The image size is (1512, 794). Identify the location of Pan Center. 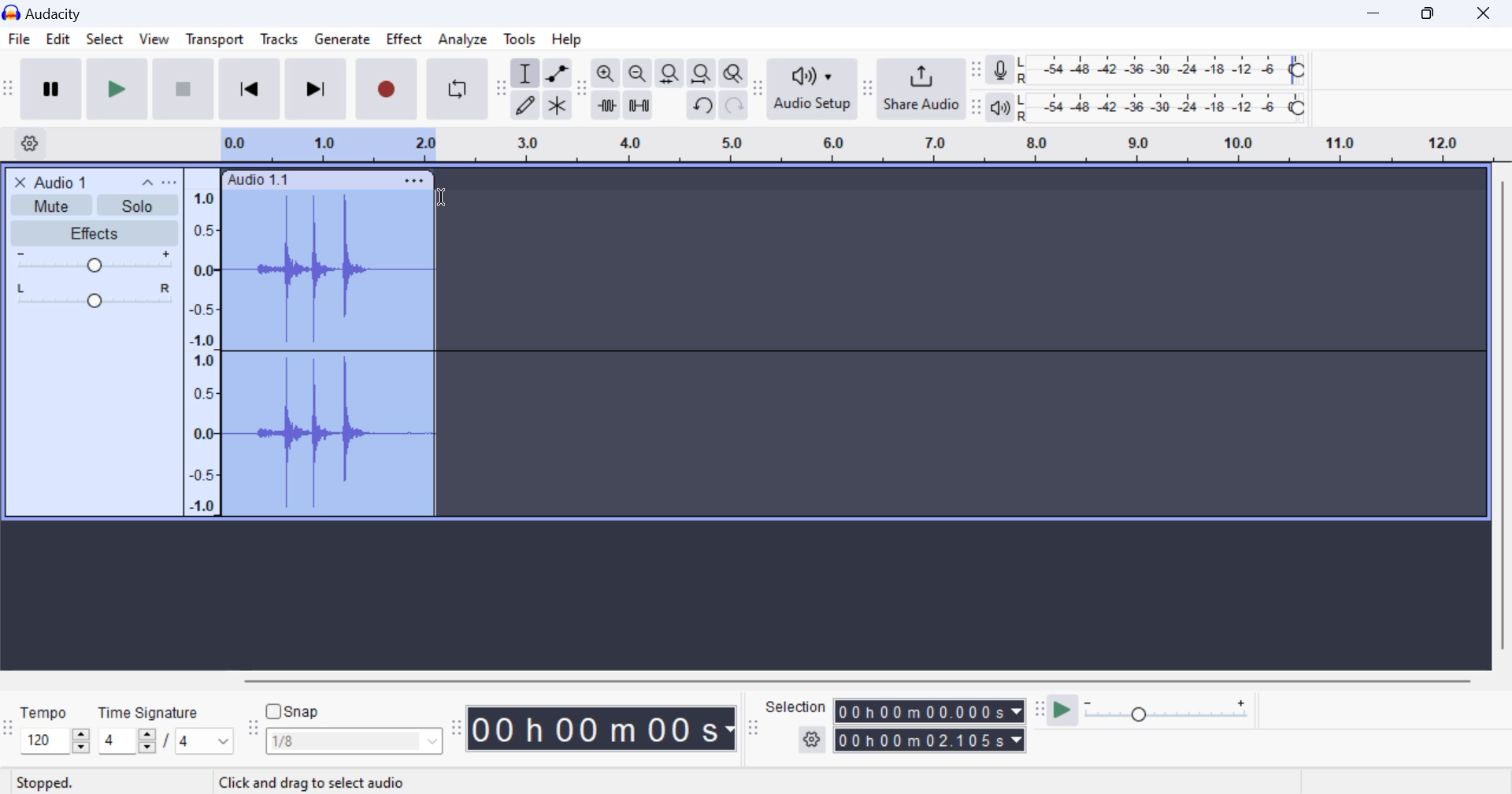
(98, 295).